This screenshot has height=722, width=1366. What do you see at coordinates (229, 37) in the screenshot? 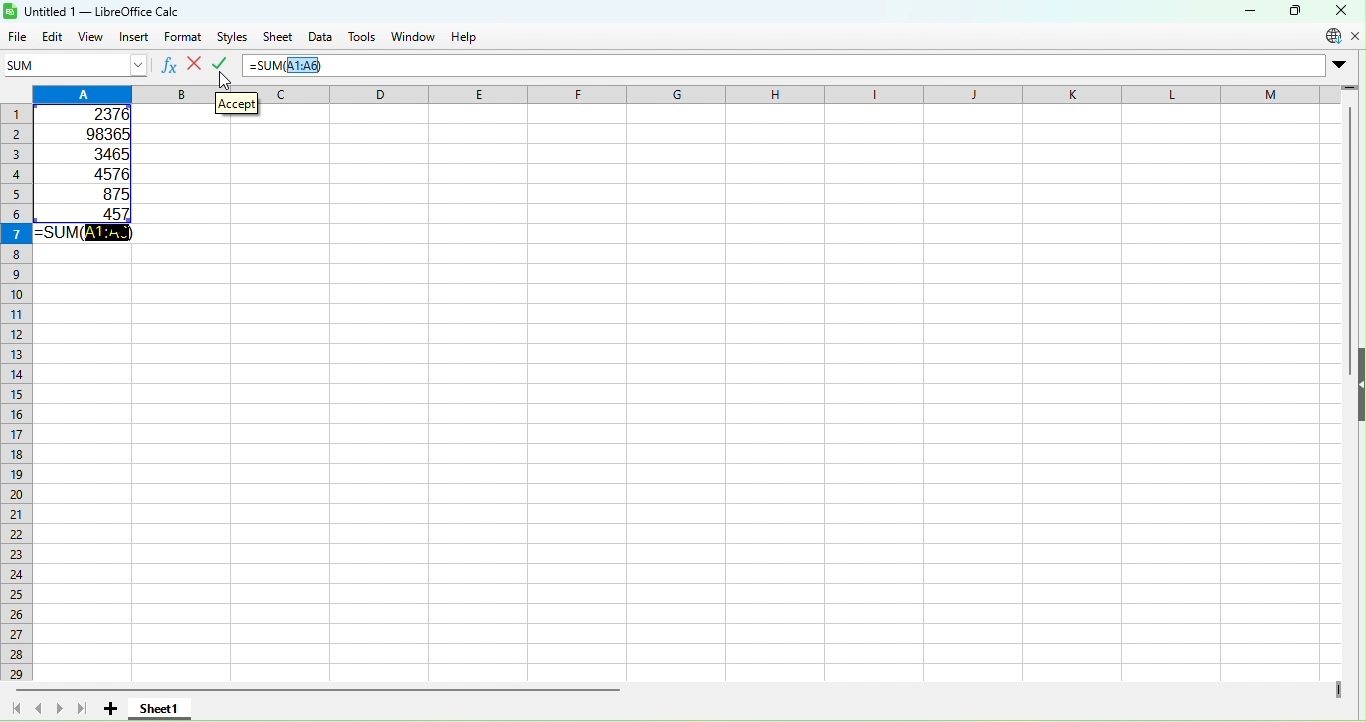
I see `Styles` at bounding box center [229, 37].